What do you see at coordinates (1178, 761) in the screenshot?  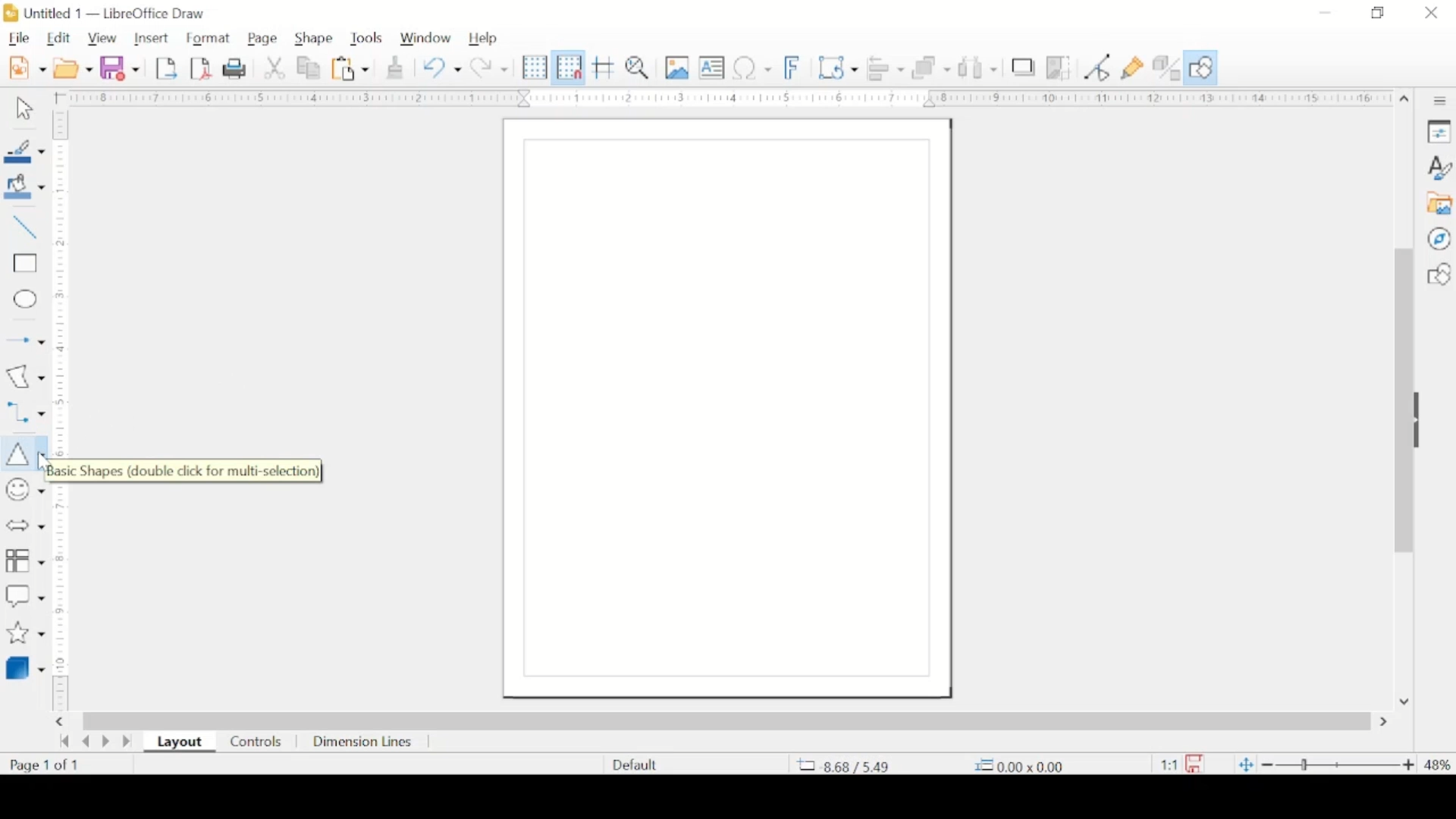 I see `this document has been modified` at bounding box center [1178, 761].